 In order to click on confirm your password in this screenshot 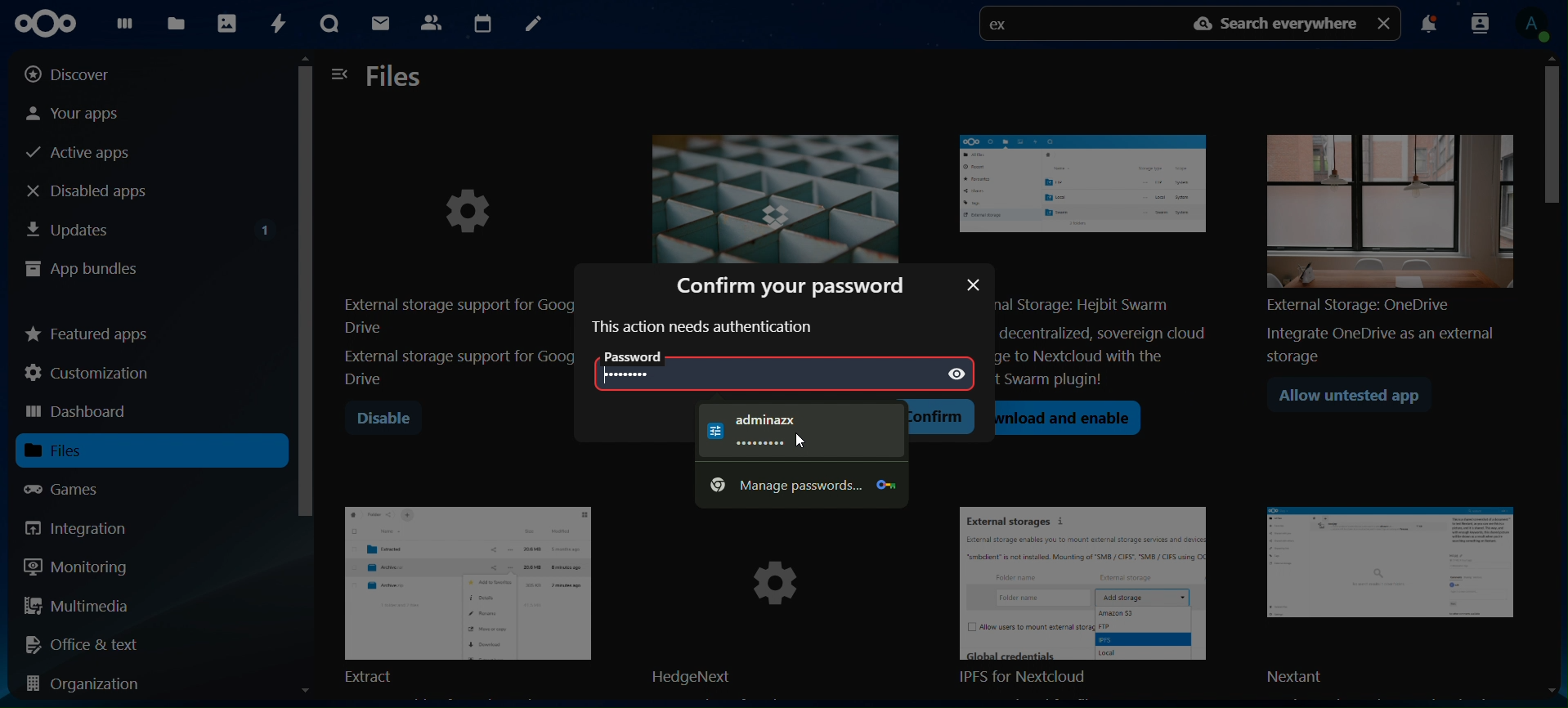, I will do `click(797, 284)`.